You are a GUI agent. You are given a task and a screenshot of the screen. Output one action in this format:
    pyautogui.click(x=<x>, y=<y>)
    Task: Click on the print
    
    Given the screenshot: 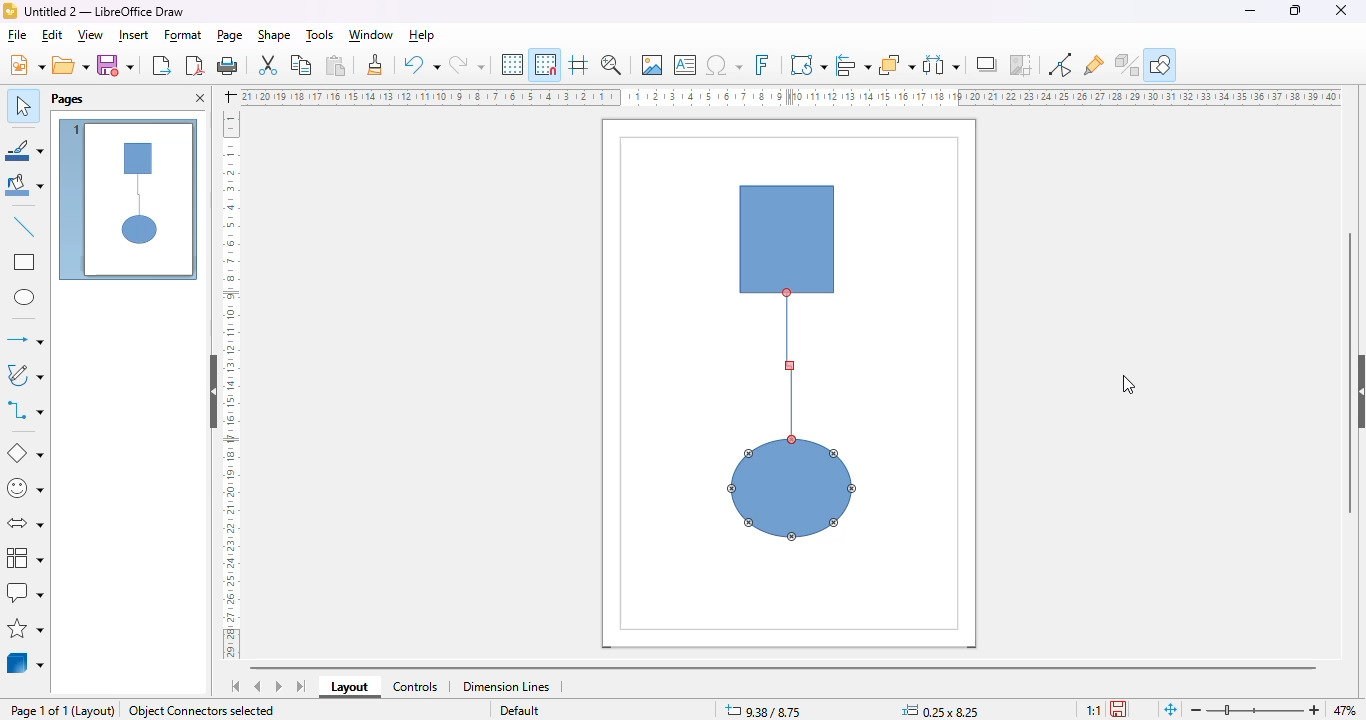 What is the action you would take?
    pyautogui.click(x=227, y=65)
    